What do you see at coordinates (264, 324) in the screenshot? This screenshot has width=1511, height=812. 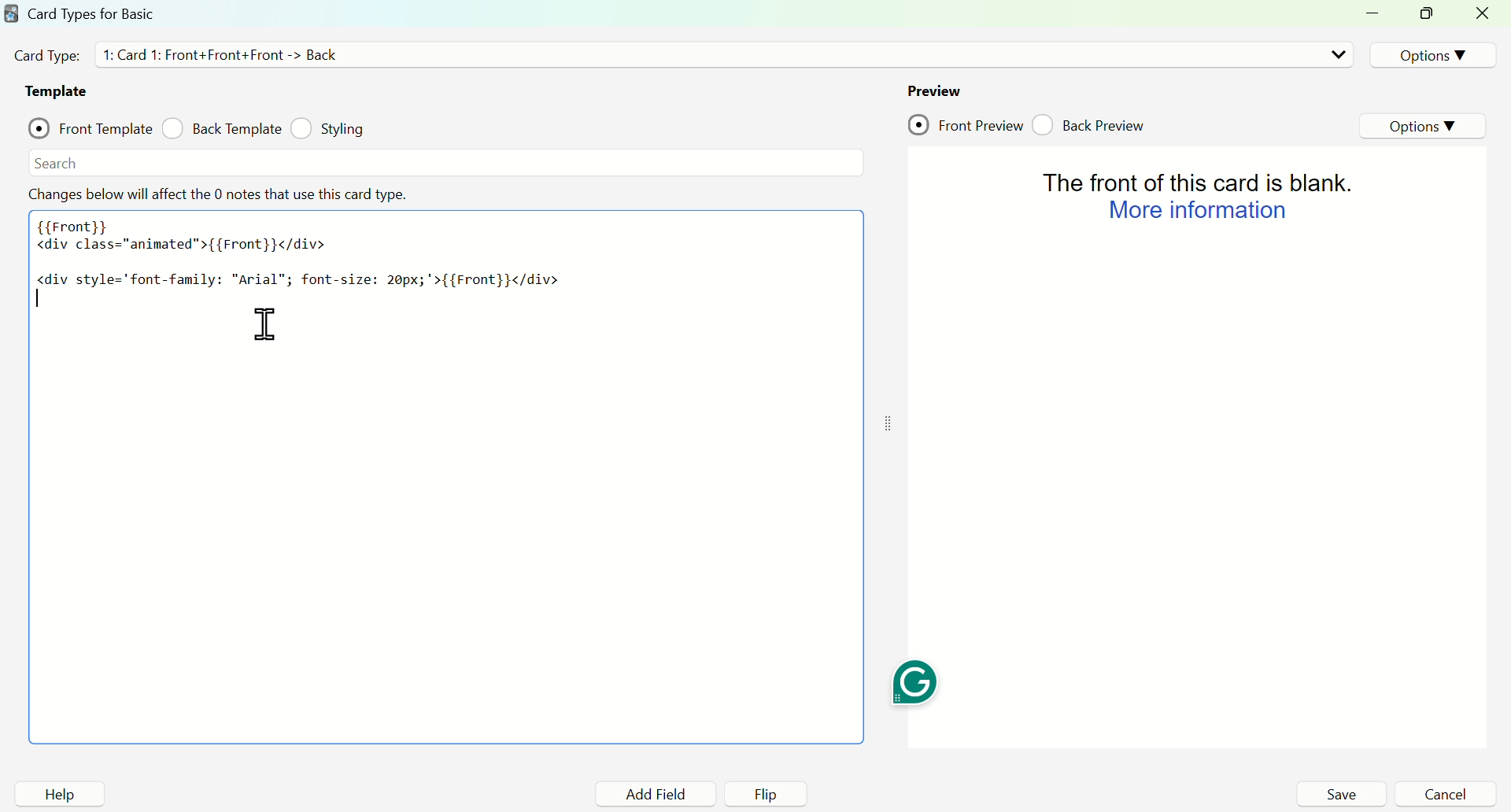 I see `cursor` at bounding box center [264, 324].